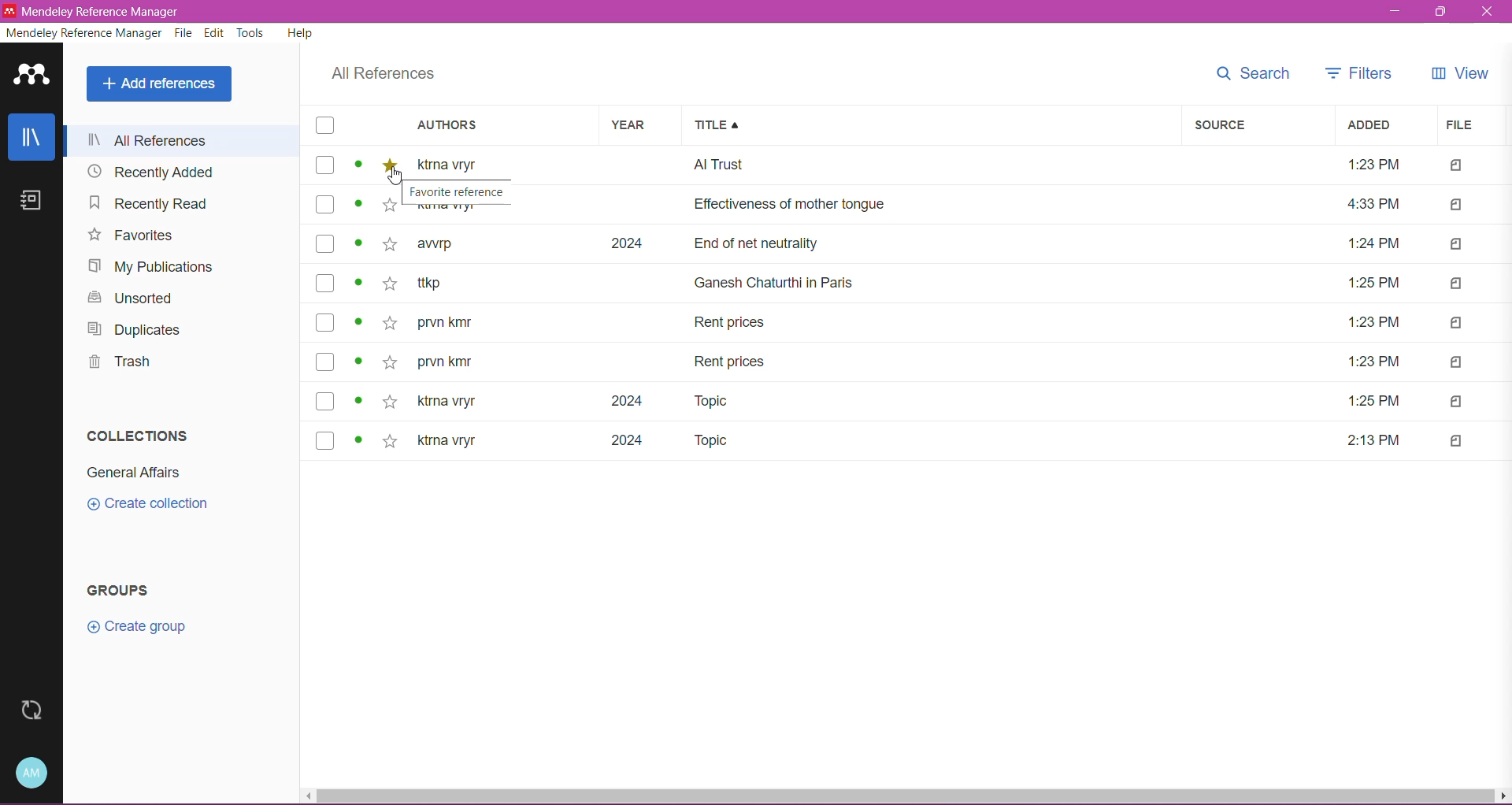 The width and height of the screenshot is (1512, 805). Describe the element at coordinates (391, 324) in the screenshot. I see `Add to favorite` at that location.